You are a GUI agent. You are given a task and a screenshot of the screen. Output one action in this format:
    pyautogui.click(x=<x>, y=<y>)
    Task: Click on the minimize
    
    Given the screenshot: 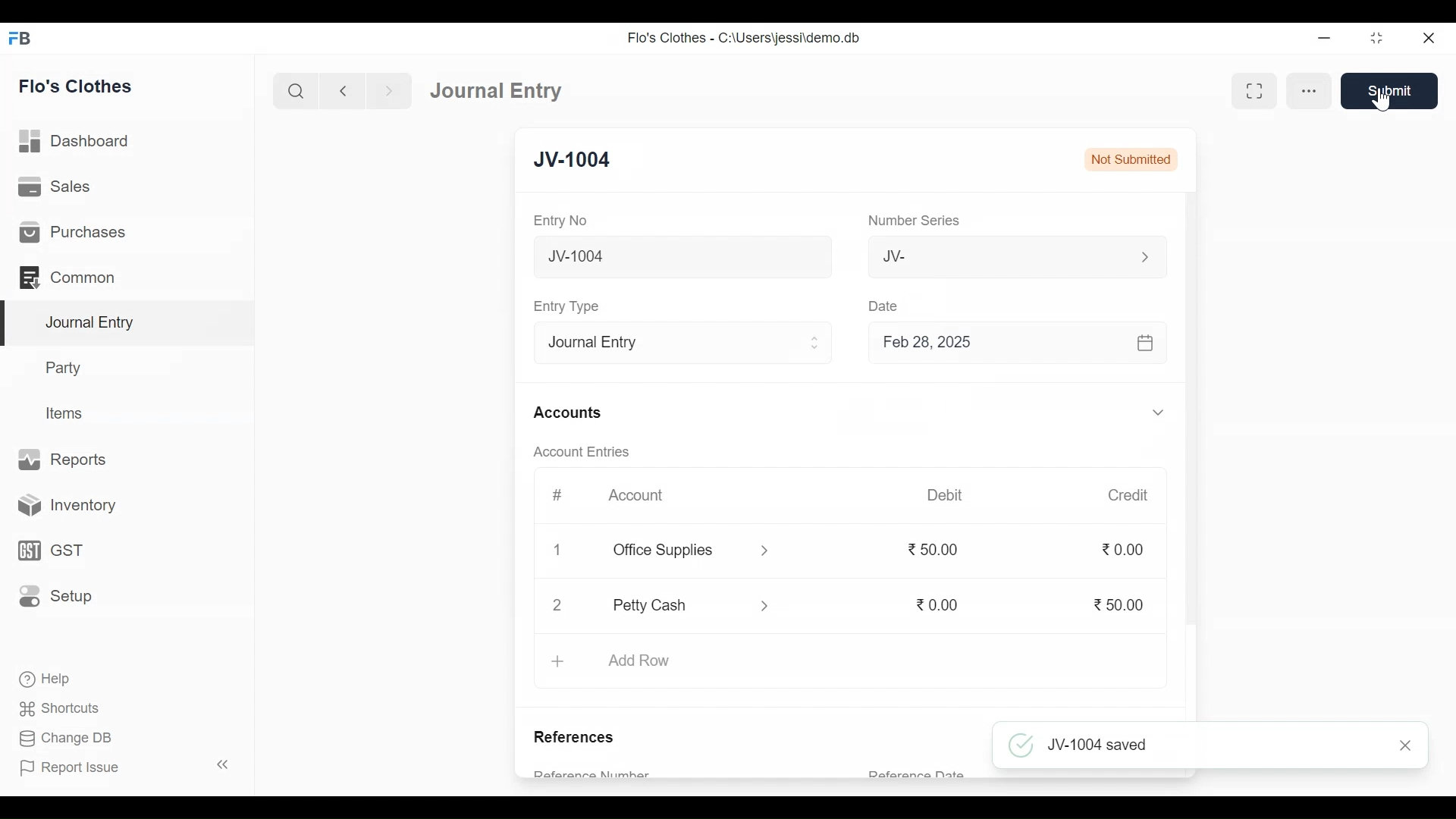 What is the action you would take?
    pyautogui.click(x=1324, y=39)
    